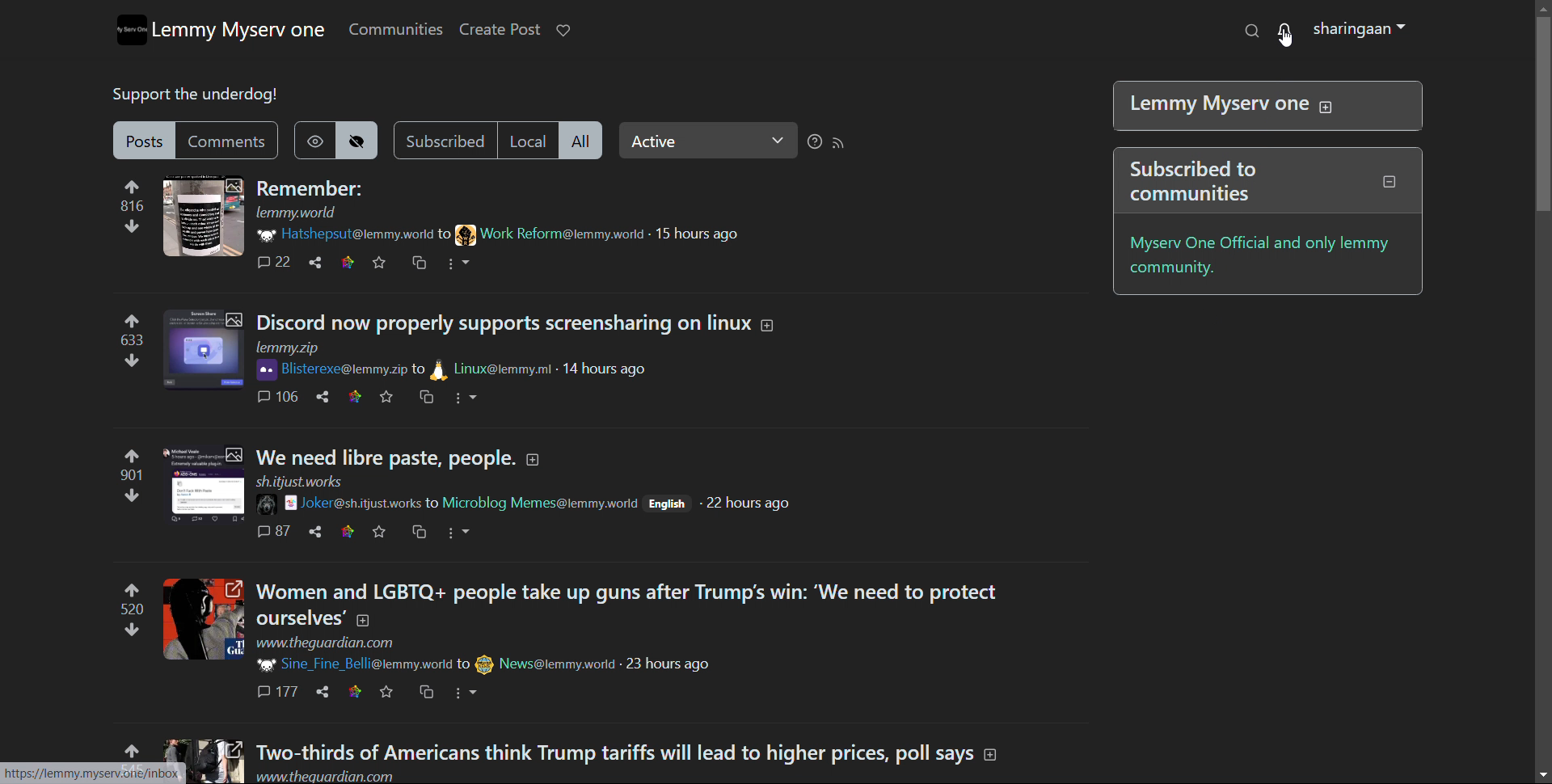 The height and width of the screenshot is (784, 1552). I want to click on expand here, so click(203, 485).